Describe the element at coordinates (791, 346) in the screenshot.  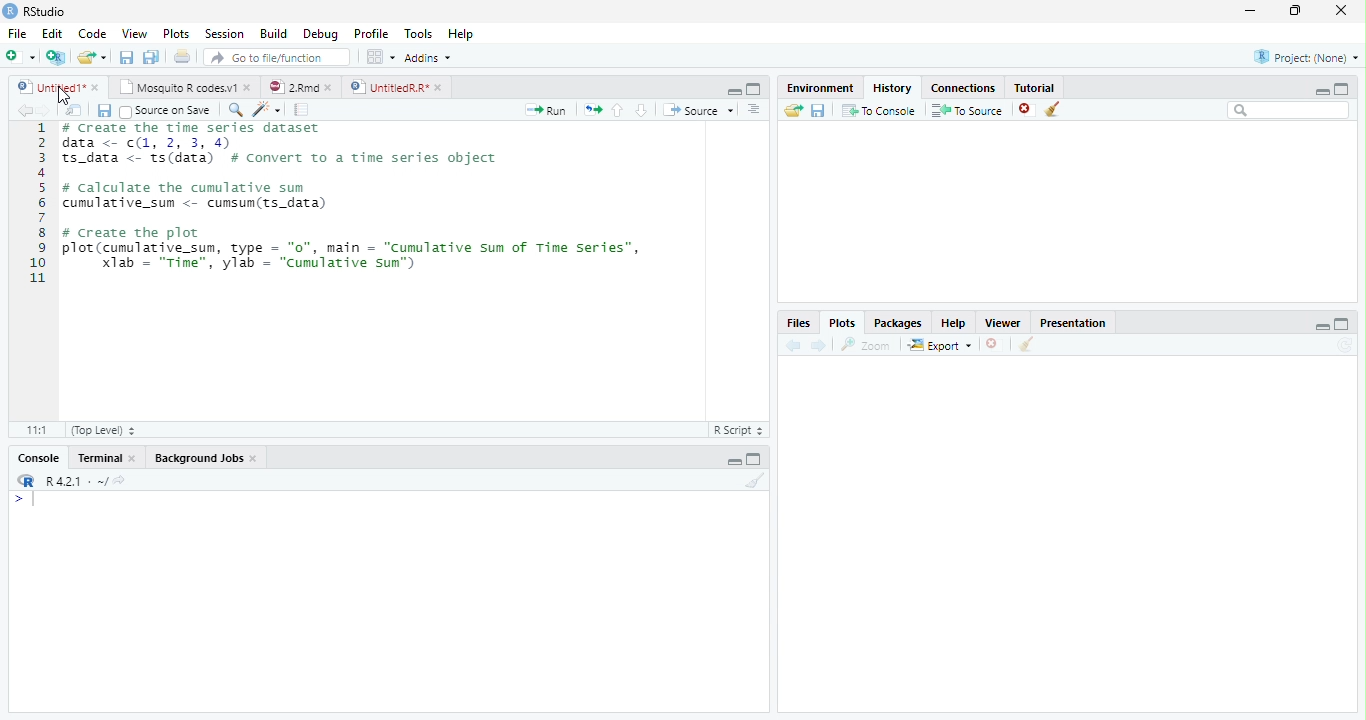
I see `Back` at that location.